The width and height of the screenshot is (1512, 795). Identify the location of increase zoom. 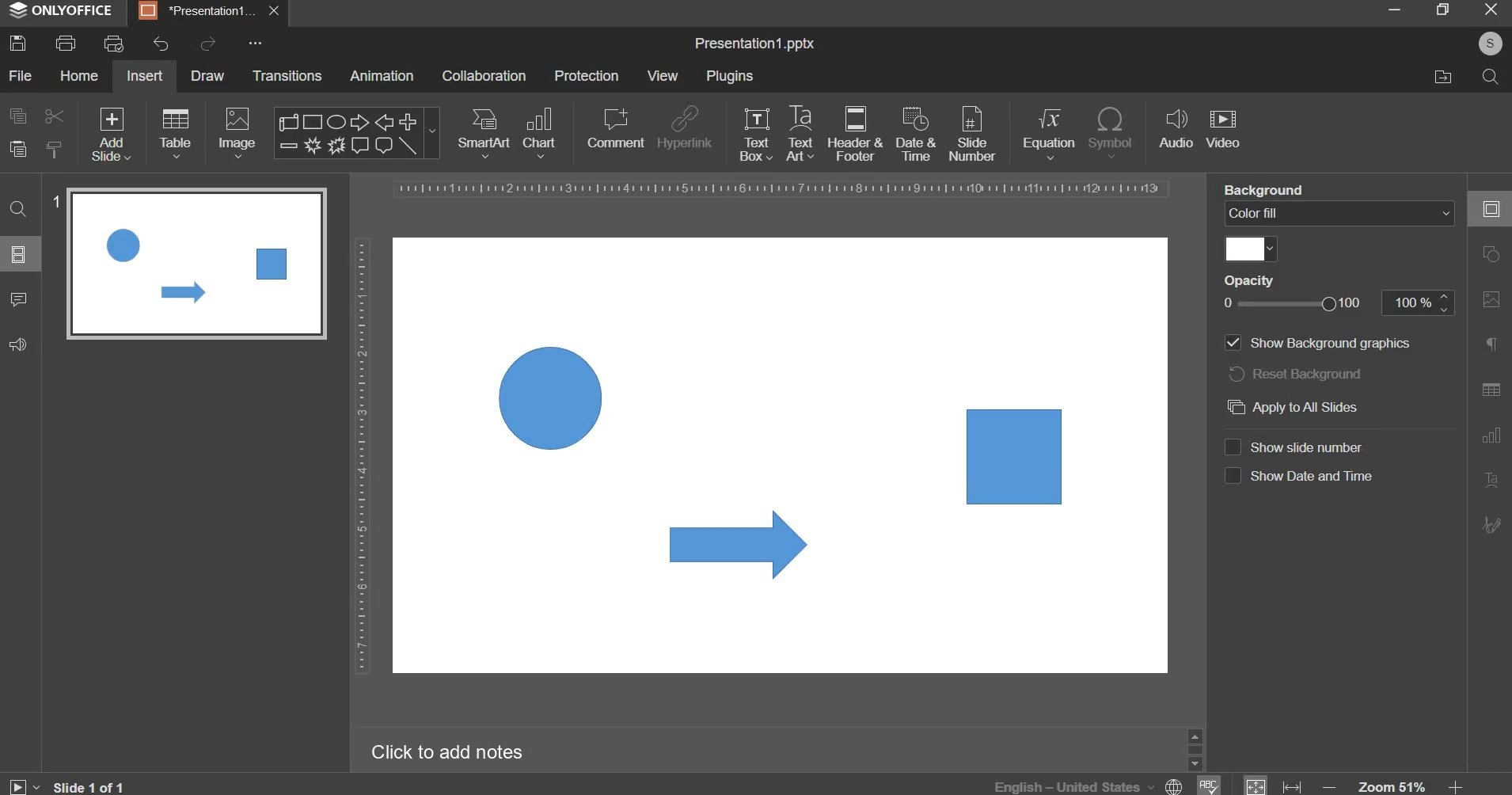
(1457, 785).